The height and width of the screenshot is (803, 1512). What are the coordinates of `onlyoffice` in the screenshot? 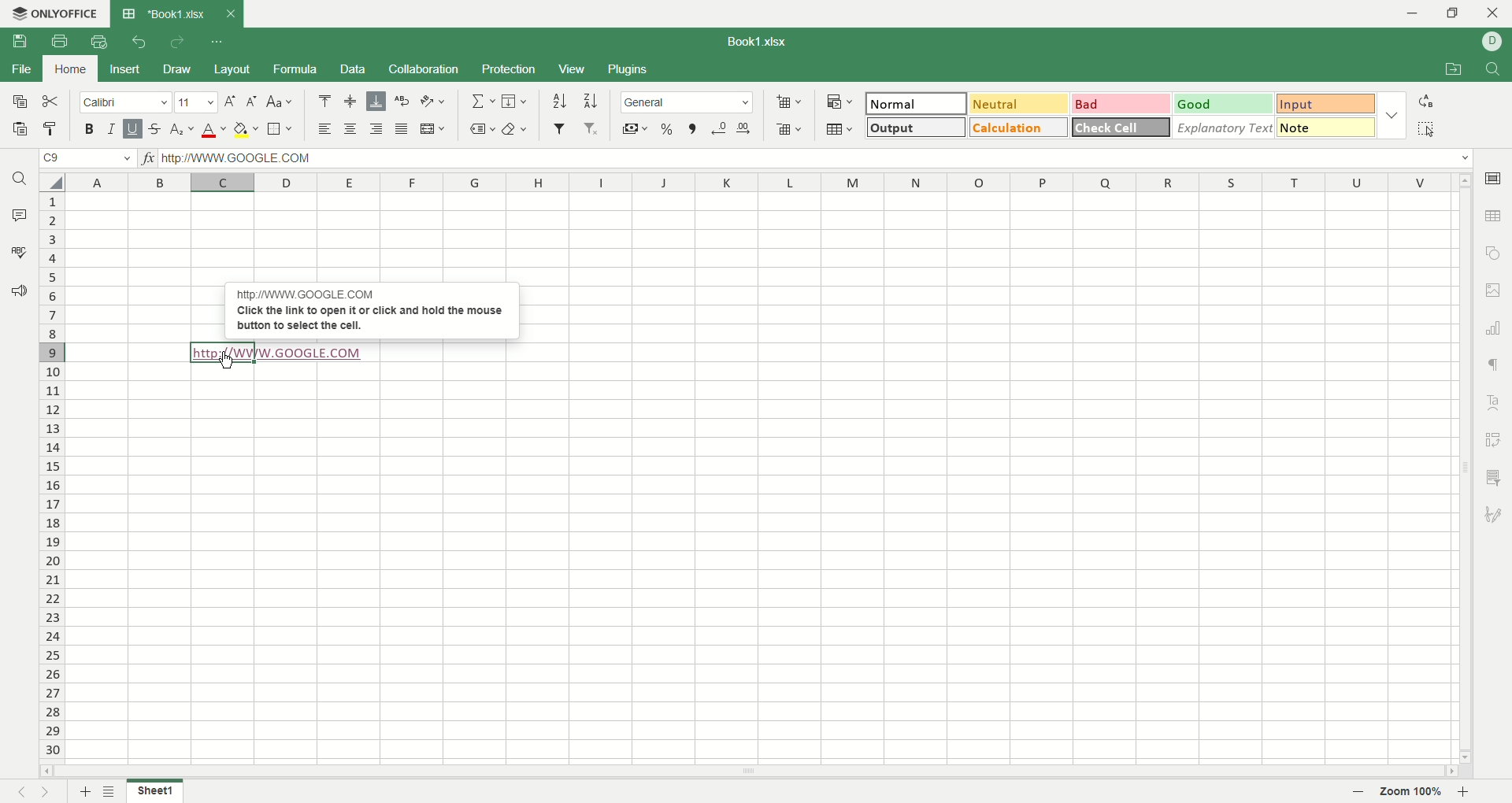 It's located at (57, 14).